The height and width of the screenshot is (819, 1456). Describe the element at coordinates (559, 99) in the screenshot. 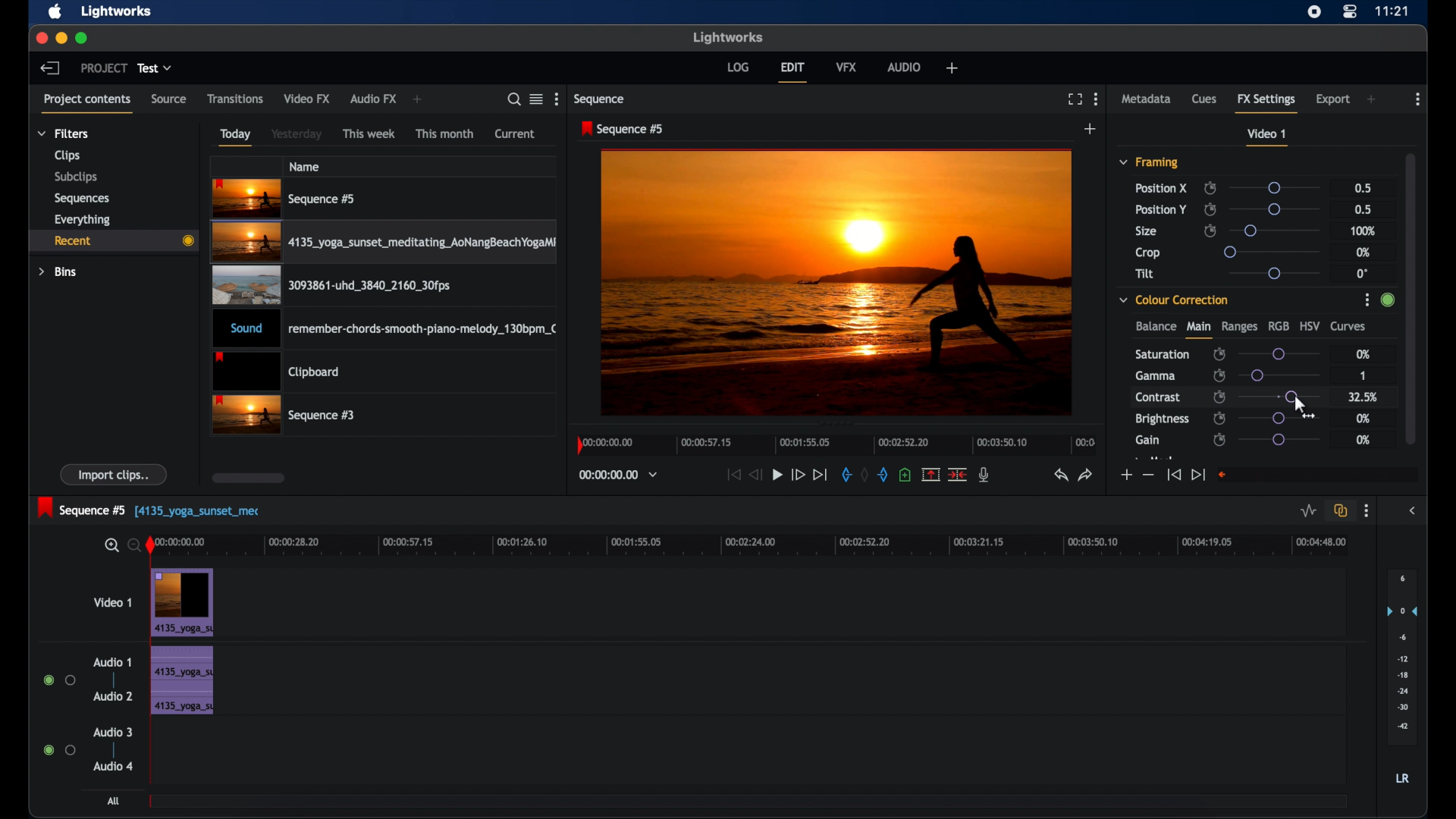

I see `more options` at that location.